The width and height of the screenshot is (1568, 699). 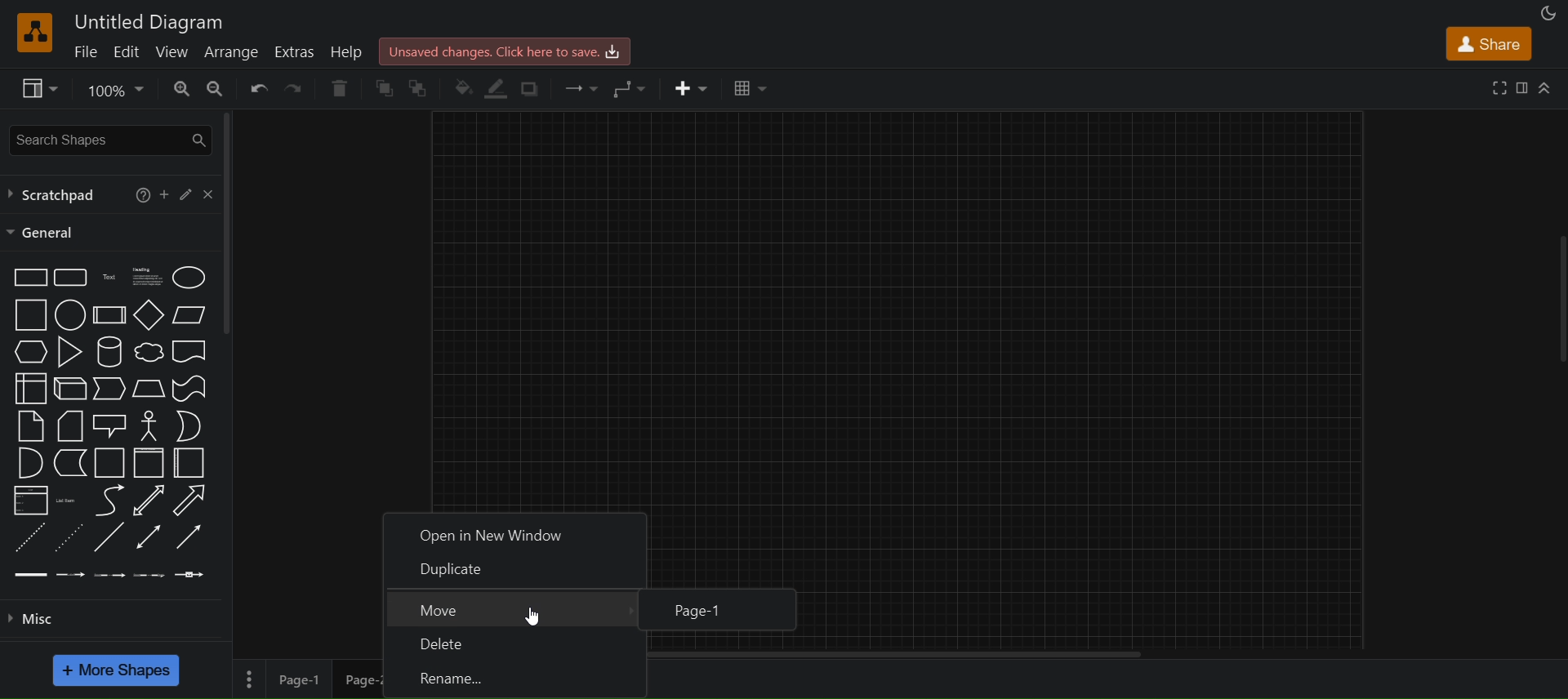 I want to click on cube, so click(x=68, y=389).